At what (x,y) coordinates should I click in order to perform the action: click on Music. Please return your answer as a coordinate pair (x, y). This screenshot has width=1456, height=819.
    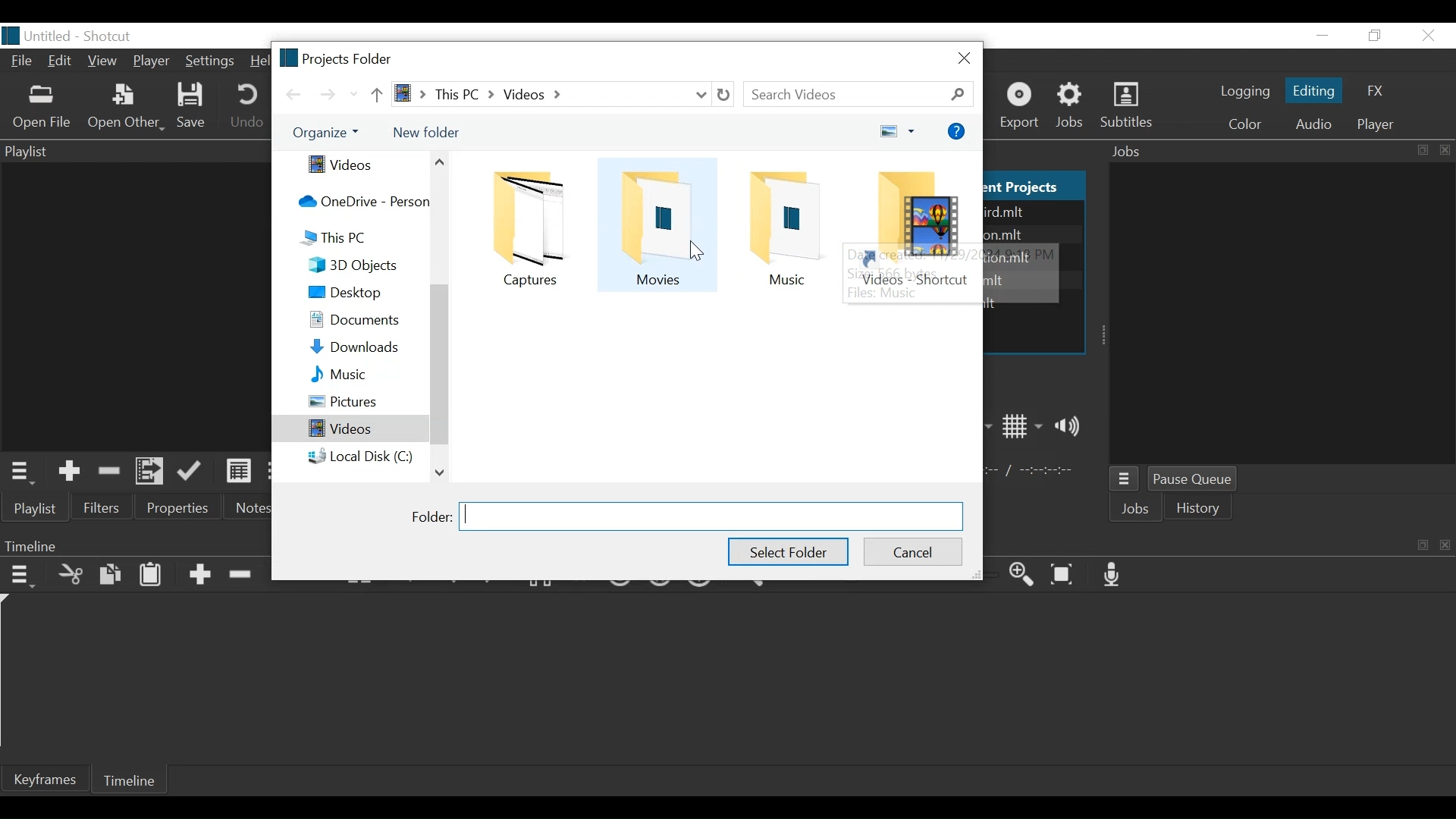
    Looking at the image, I should click on (365, 374).